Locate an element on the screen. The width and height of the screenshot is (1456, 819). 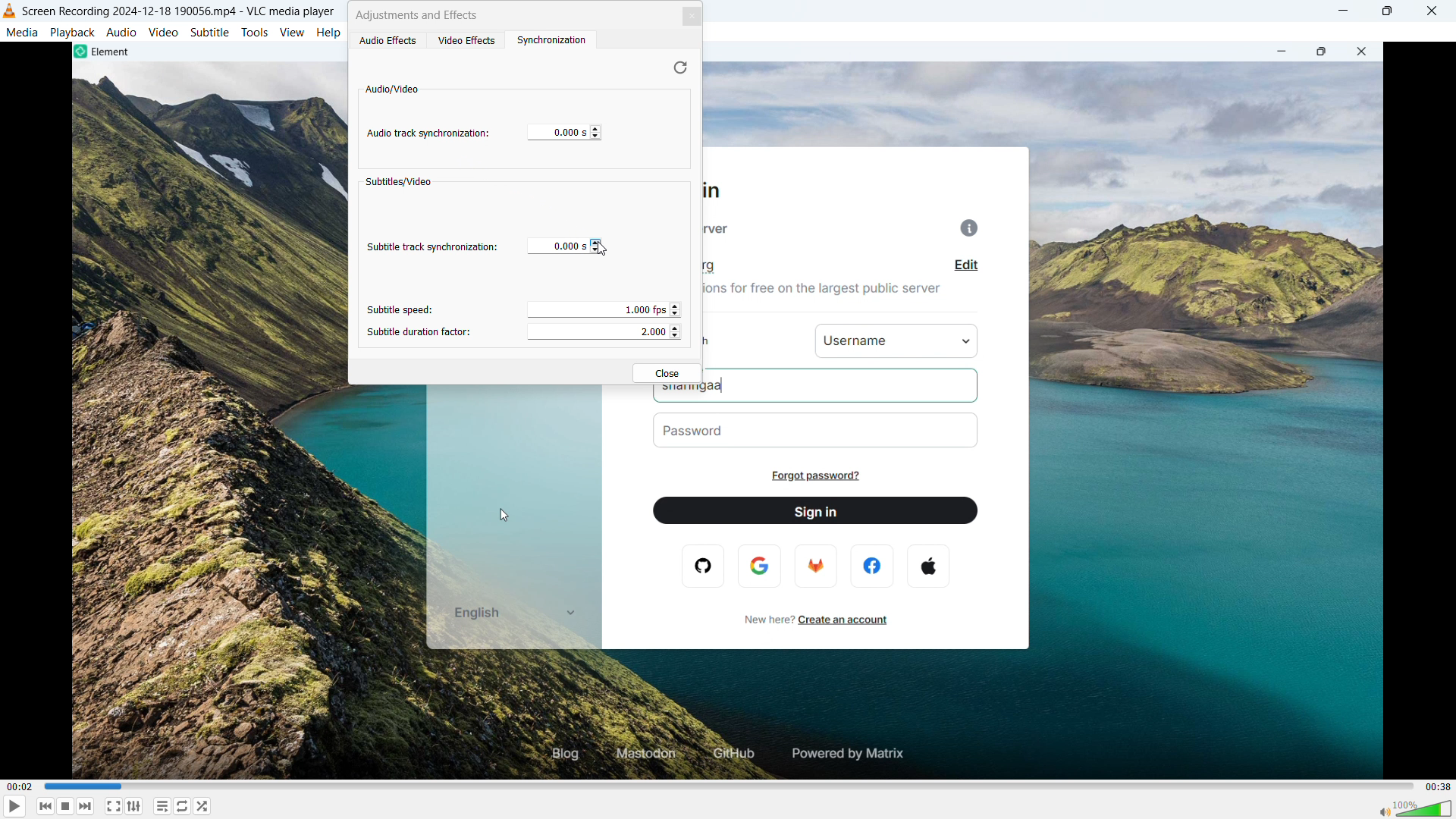
adjust subtitle duration factor is located at coordinates (602, 332).